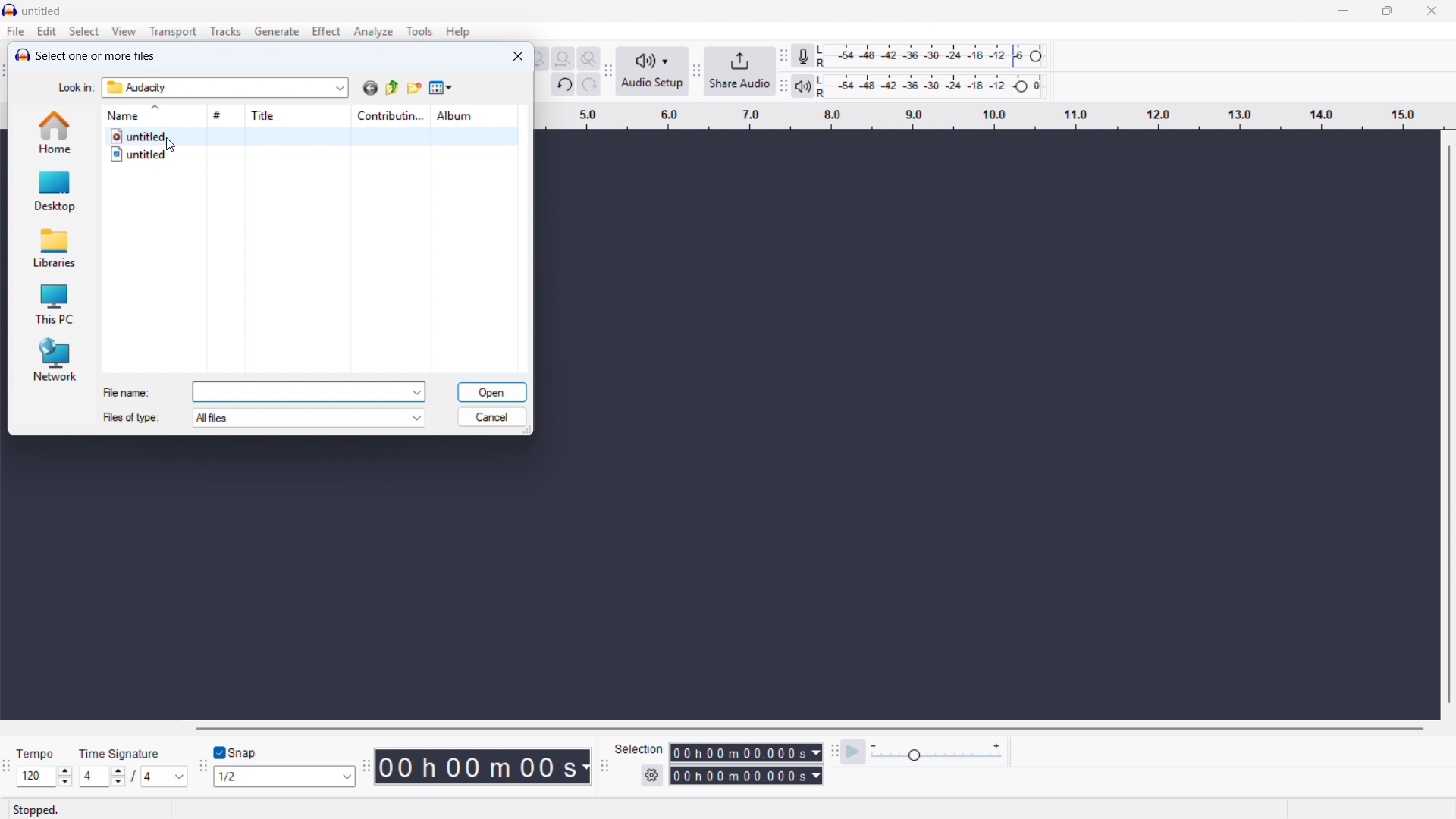  What do you see at coordinates (1448, 422) in the screenshot?
I see `Vertical scroll bar` at bounding box center [1448, 422].